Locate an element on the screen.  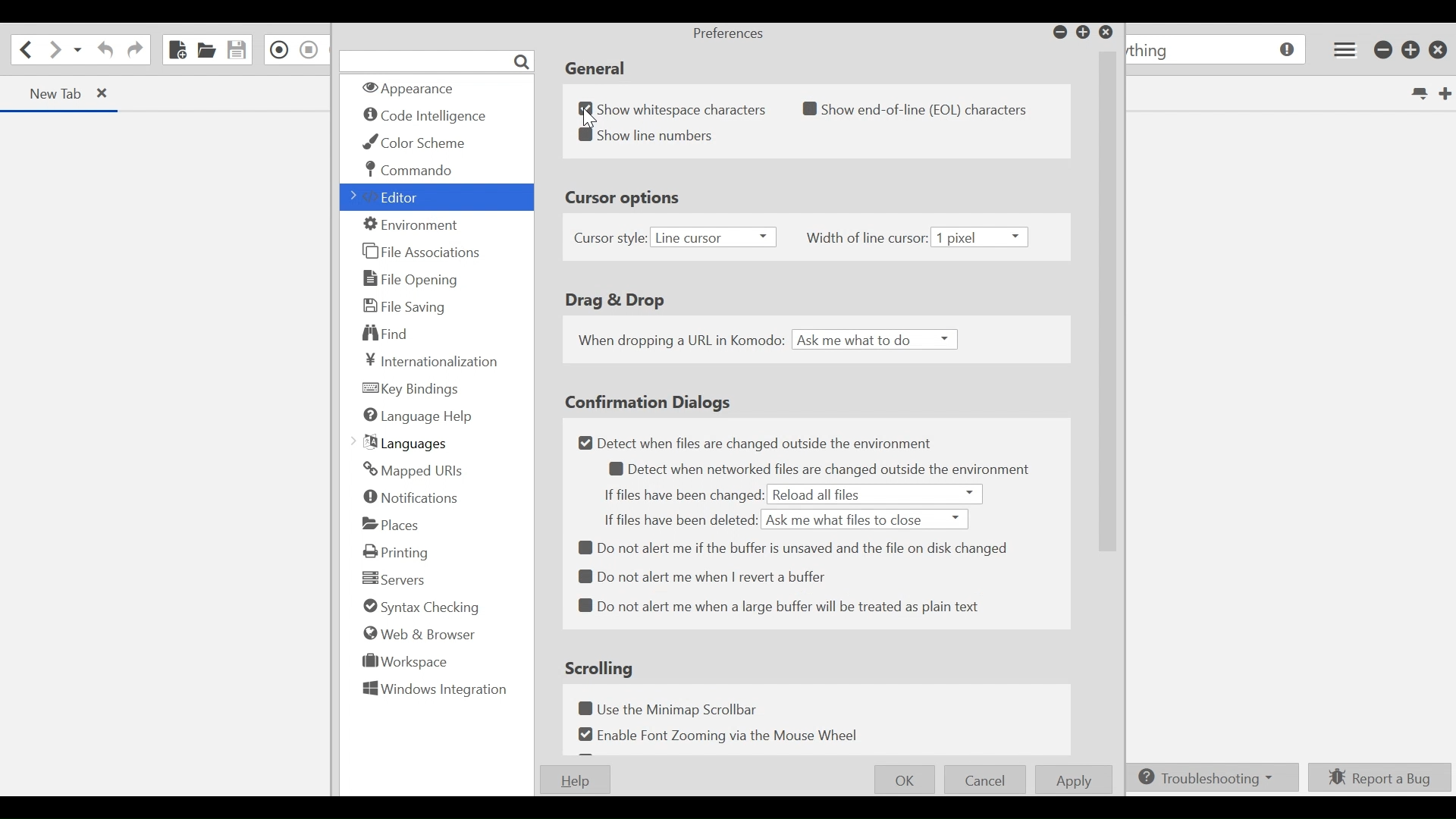
File Saving is located at coordinates (406, 306).